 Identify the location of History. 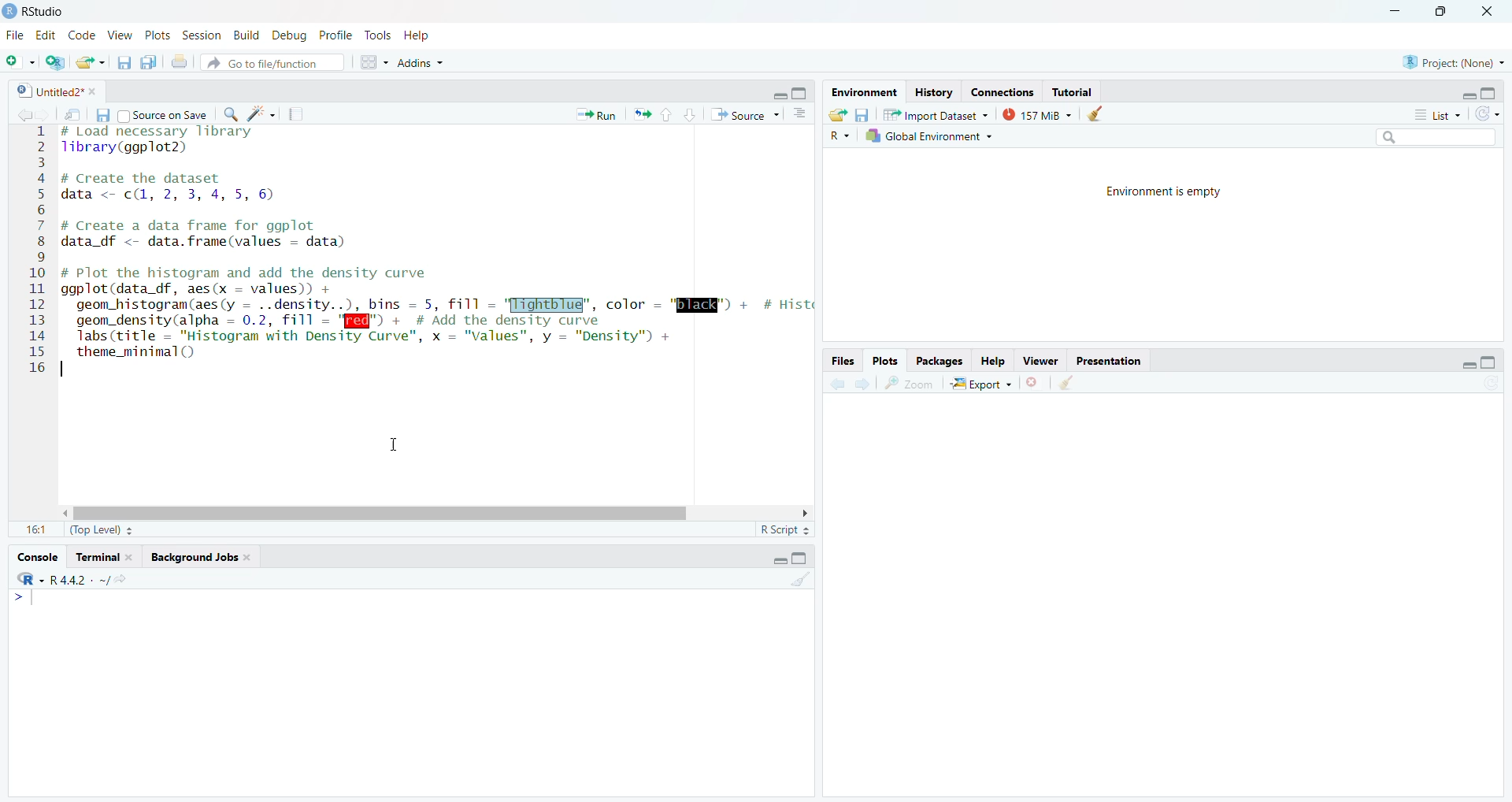
(935, 89).